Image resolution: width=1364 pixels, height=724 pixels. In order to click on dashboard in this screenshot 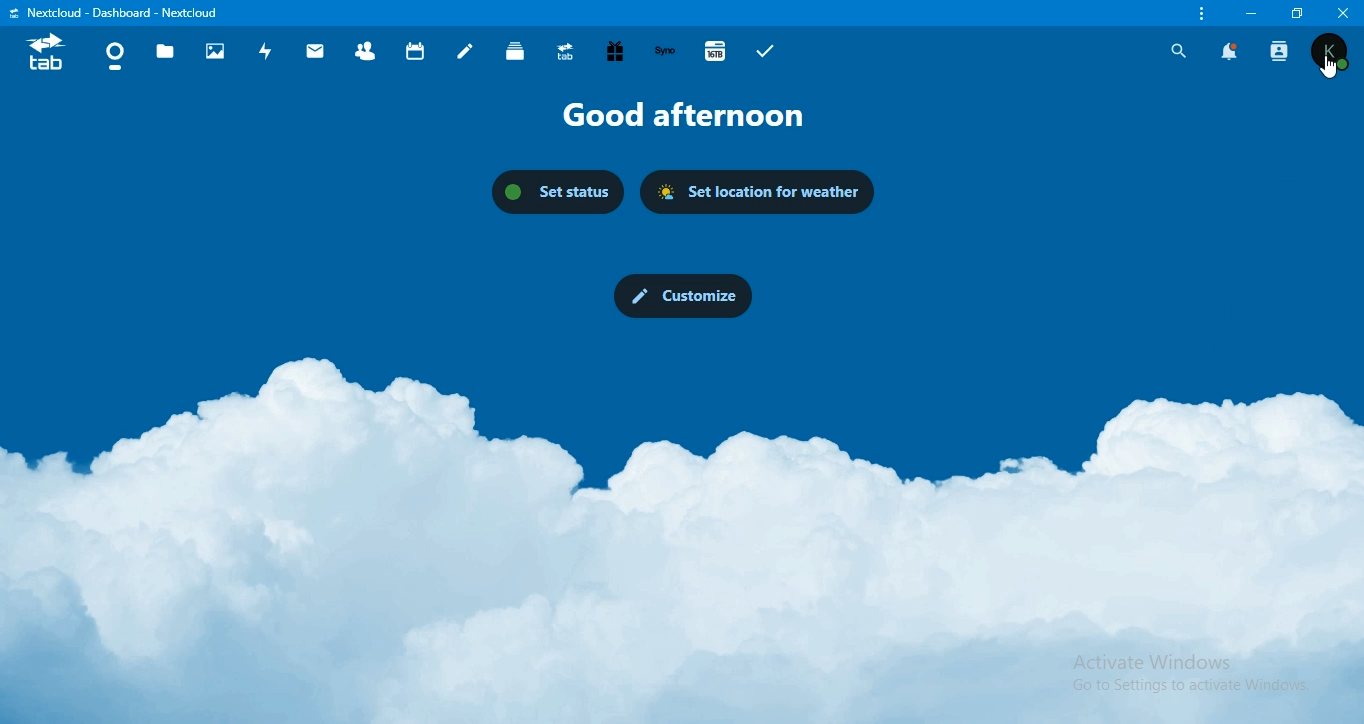, I will do `click(113, 53)`.